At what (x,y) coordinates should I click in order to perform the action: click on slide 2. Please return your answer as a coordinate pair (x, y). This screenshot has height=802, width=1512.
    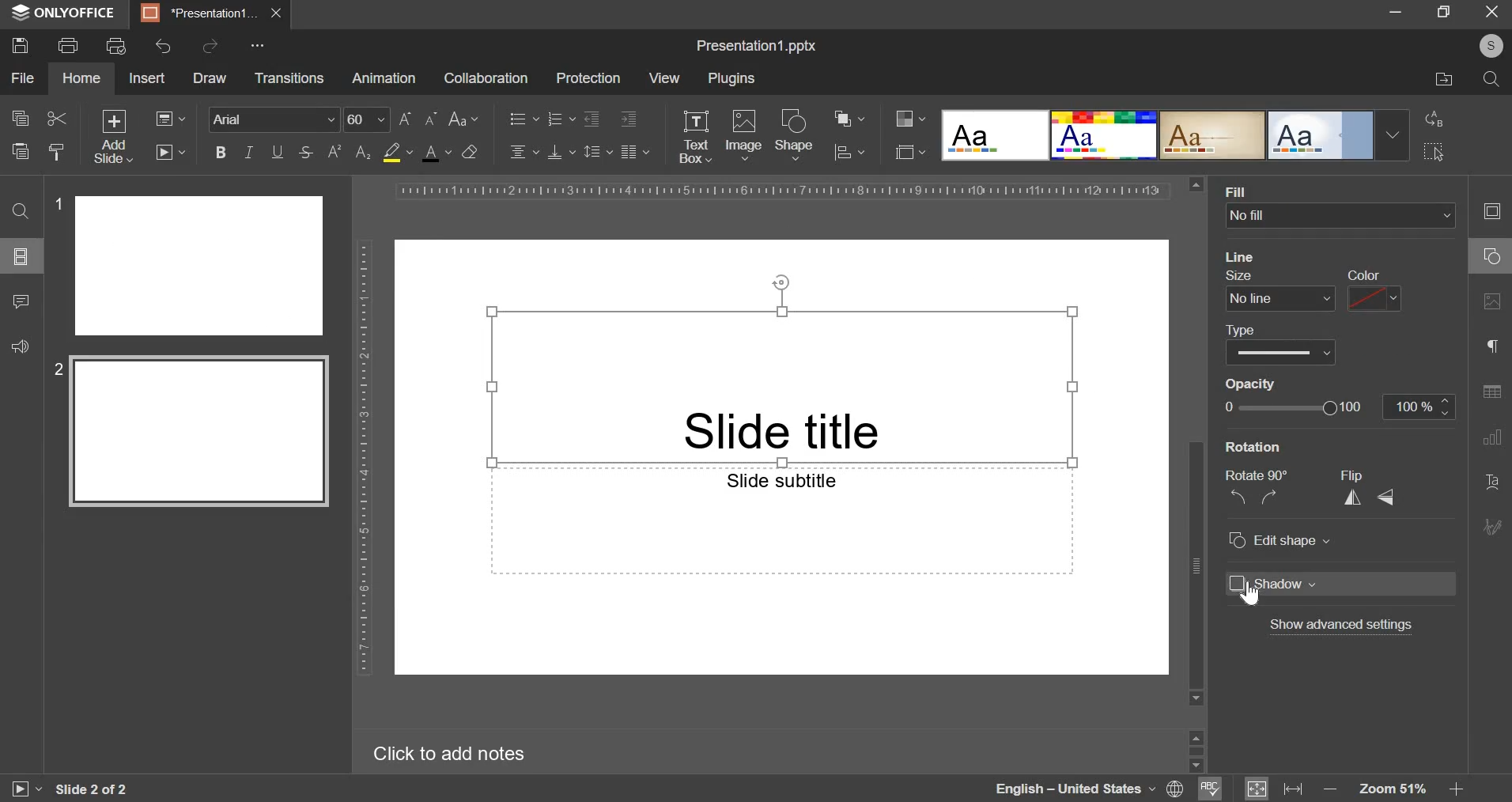
    Looking at the image, I should click on (195, 433).